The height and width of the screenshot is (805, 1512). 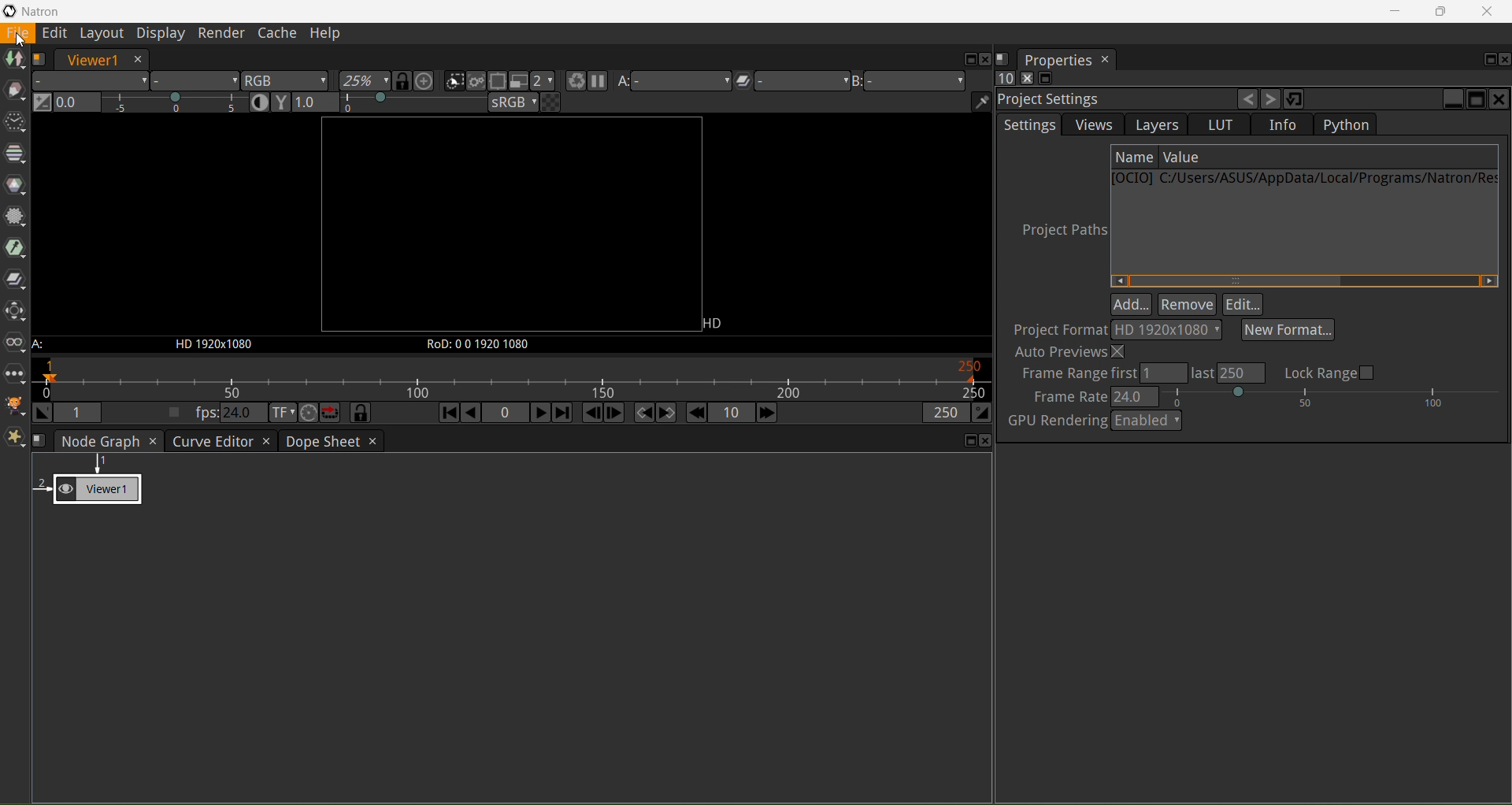 What do you see at coordinates (16, 376) in the screenshot?
I see `Other` at bounding box center [16, 376].